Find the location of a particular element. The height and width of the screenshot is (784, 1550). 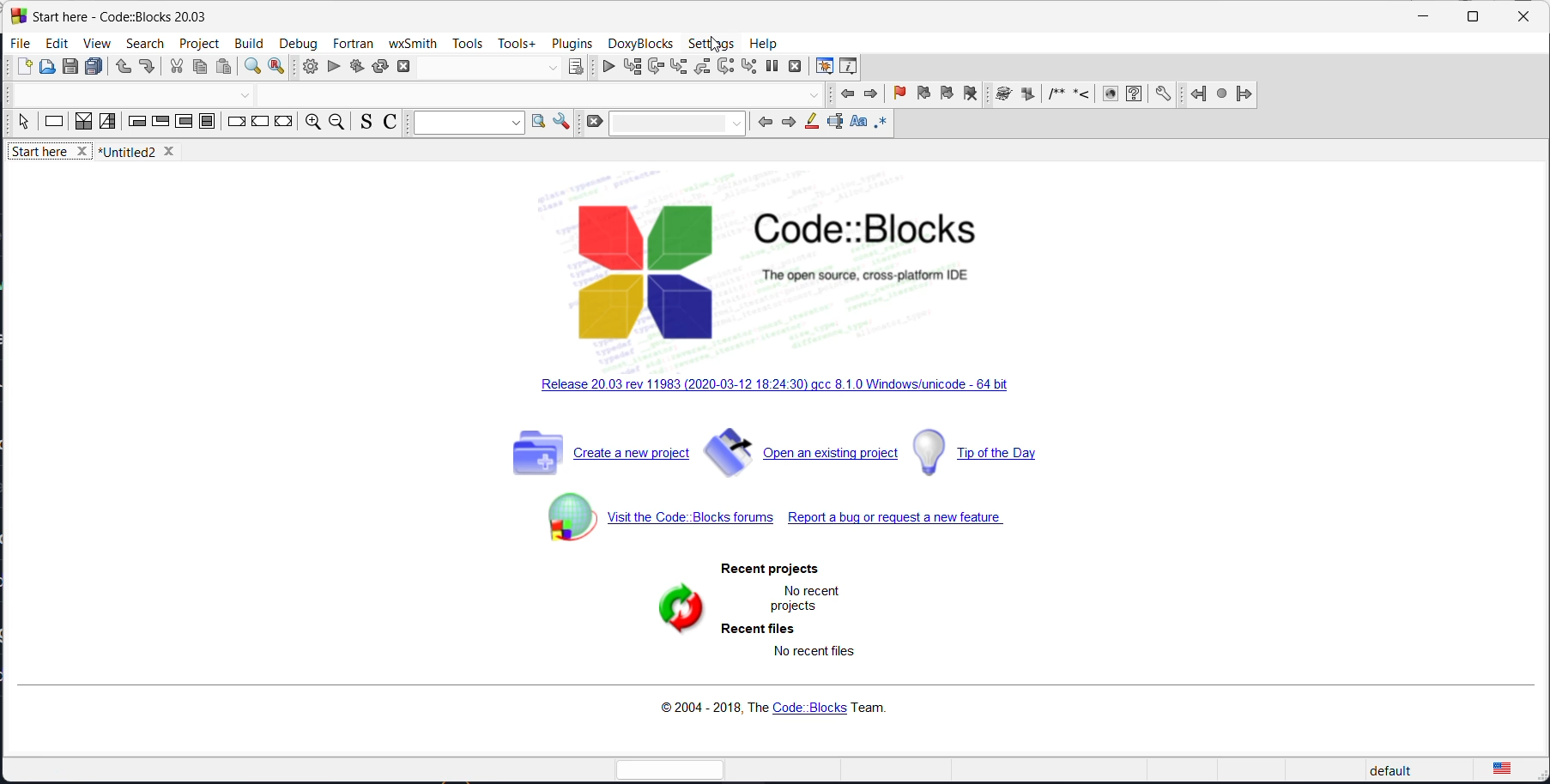

icon is located at coordinates (1109, 95).